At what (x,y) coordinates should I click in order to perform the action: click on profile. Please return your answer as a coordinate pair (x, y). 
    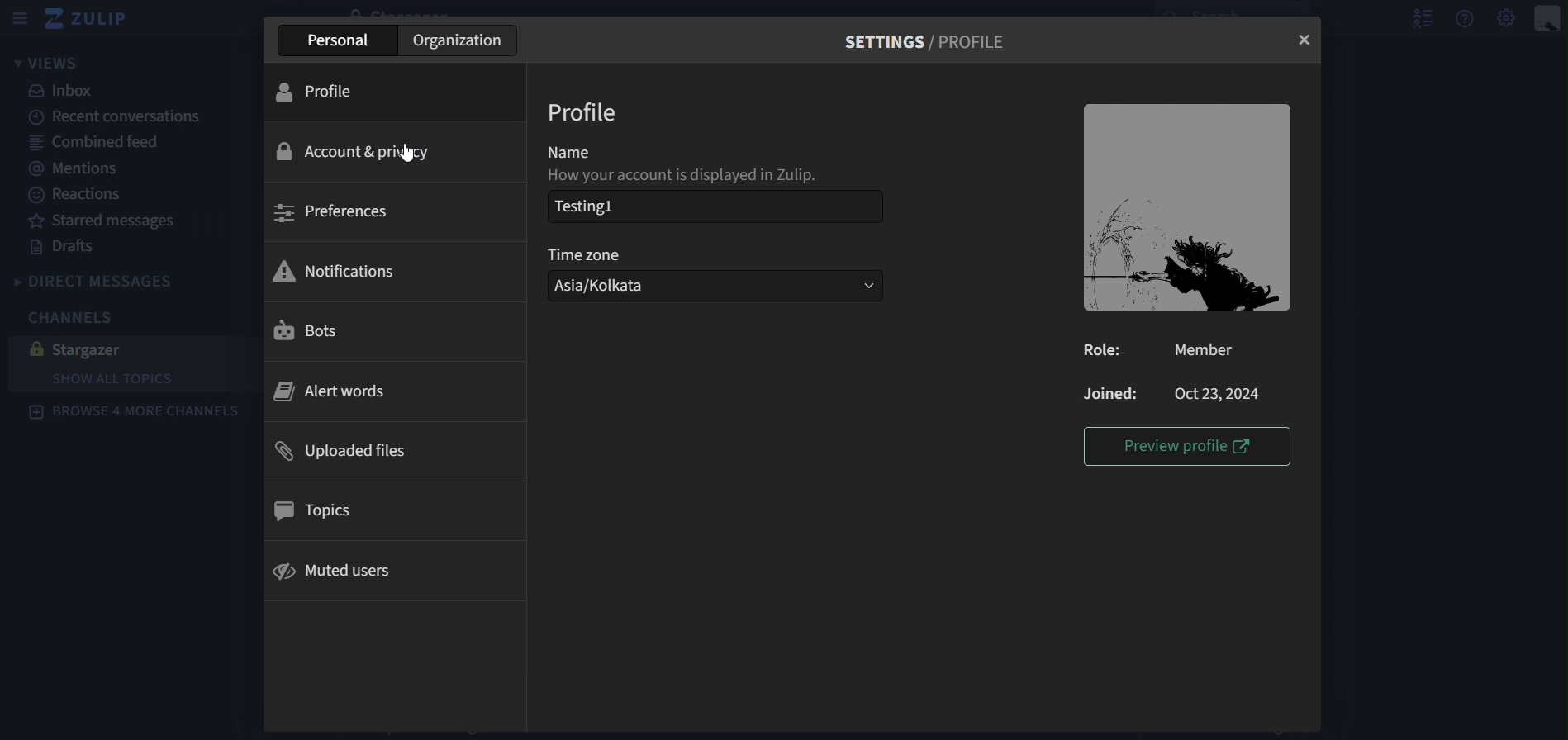
    Looking at the image, I should click on (316, 95).